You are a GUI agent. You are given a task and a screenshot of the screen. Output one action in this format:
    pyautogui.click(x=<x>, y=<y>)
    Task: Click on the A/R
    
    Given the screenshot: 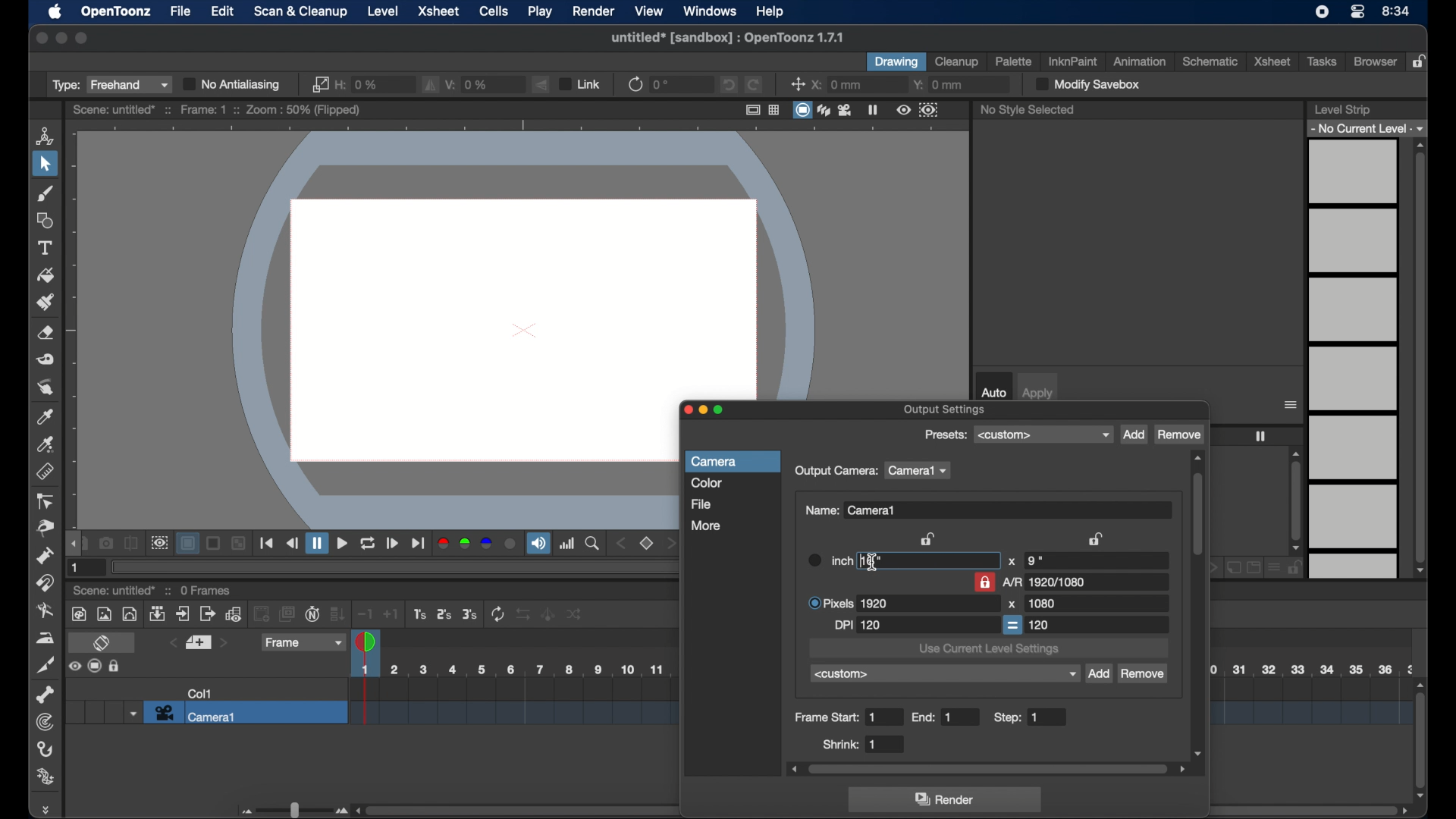 What is the action you would take?
    pyautogui.click(x=1046, y=582)
    